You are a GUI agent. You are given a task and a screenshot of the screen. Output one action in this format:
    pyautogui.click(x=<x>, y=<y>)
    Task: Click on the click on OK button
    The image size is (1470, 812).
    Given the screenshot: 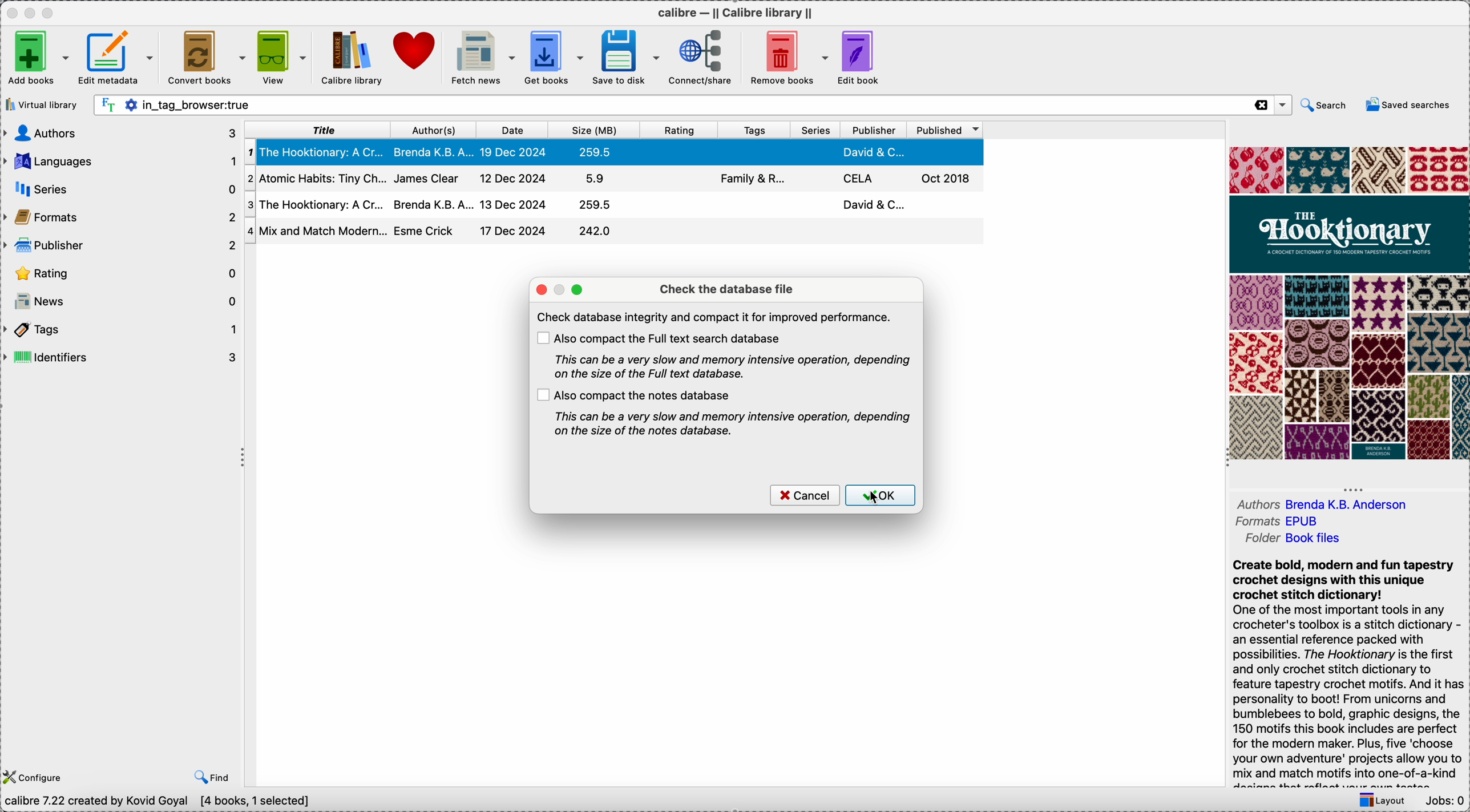 What is the action you would take?
    pyautogui.click(x=885, y=495)
    